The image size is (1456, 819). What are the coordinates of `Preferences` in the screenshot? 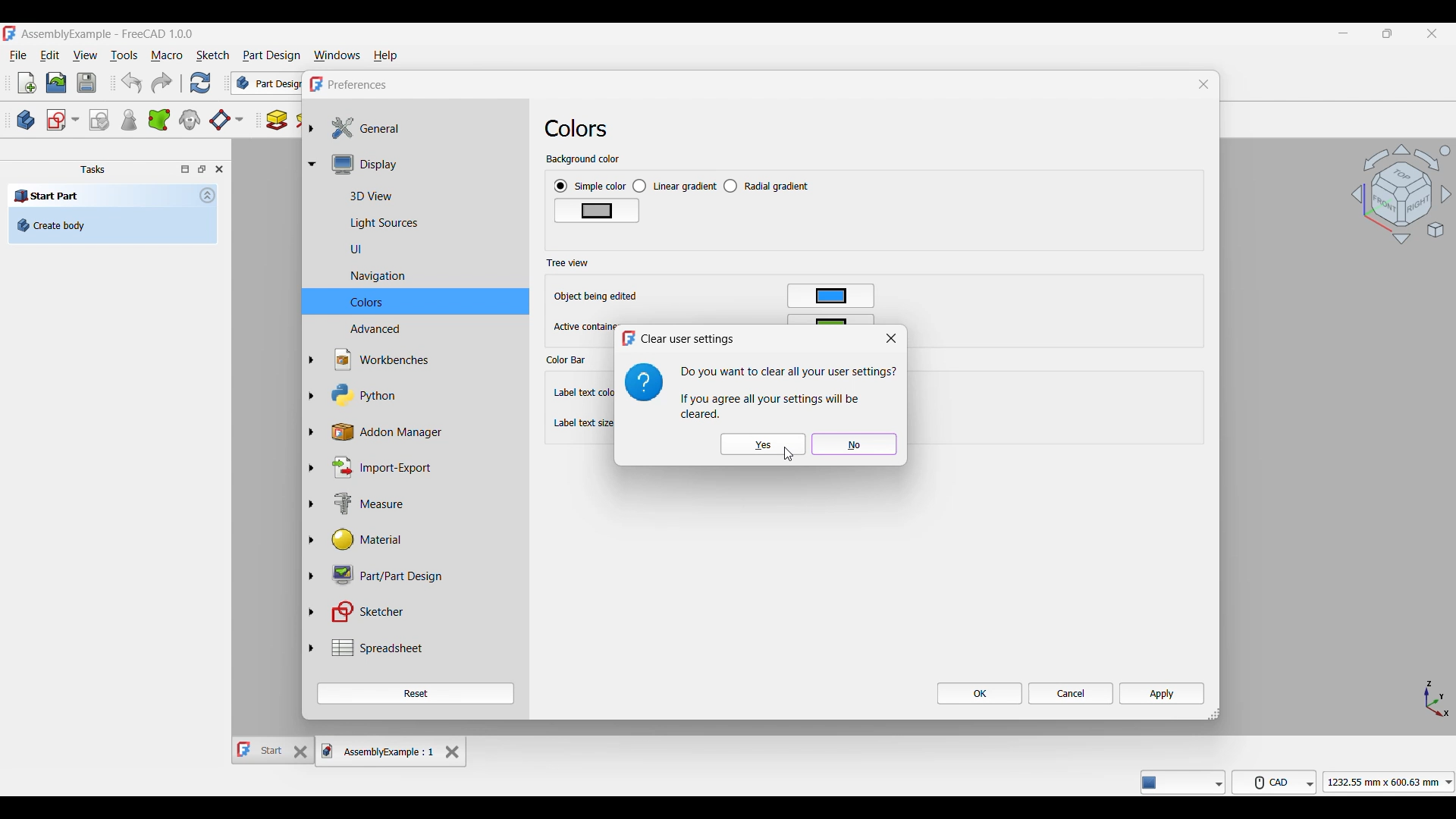 It's located at (359, 85).